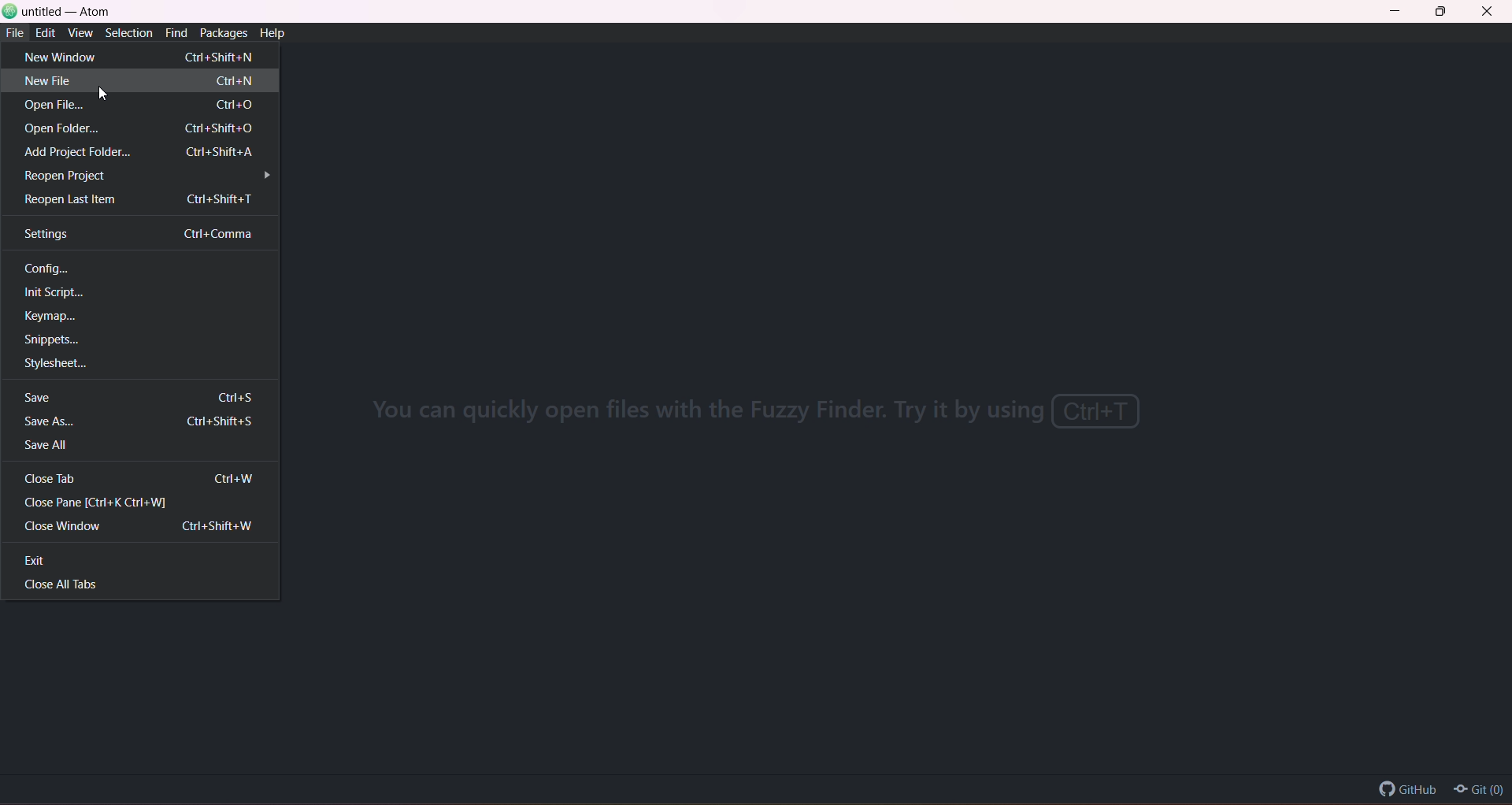 The width and height of the screenshot is (1512, 805). Describe the element at coordinates (142, 150) in the screenshot. I see `Add Project Folder... Ctrl+Shift+A` at that location.